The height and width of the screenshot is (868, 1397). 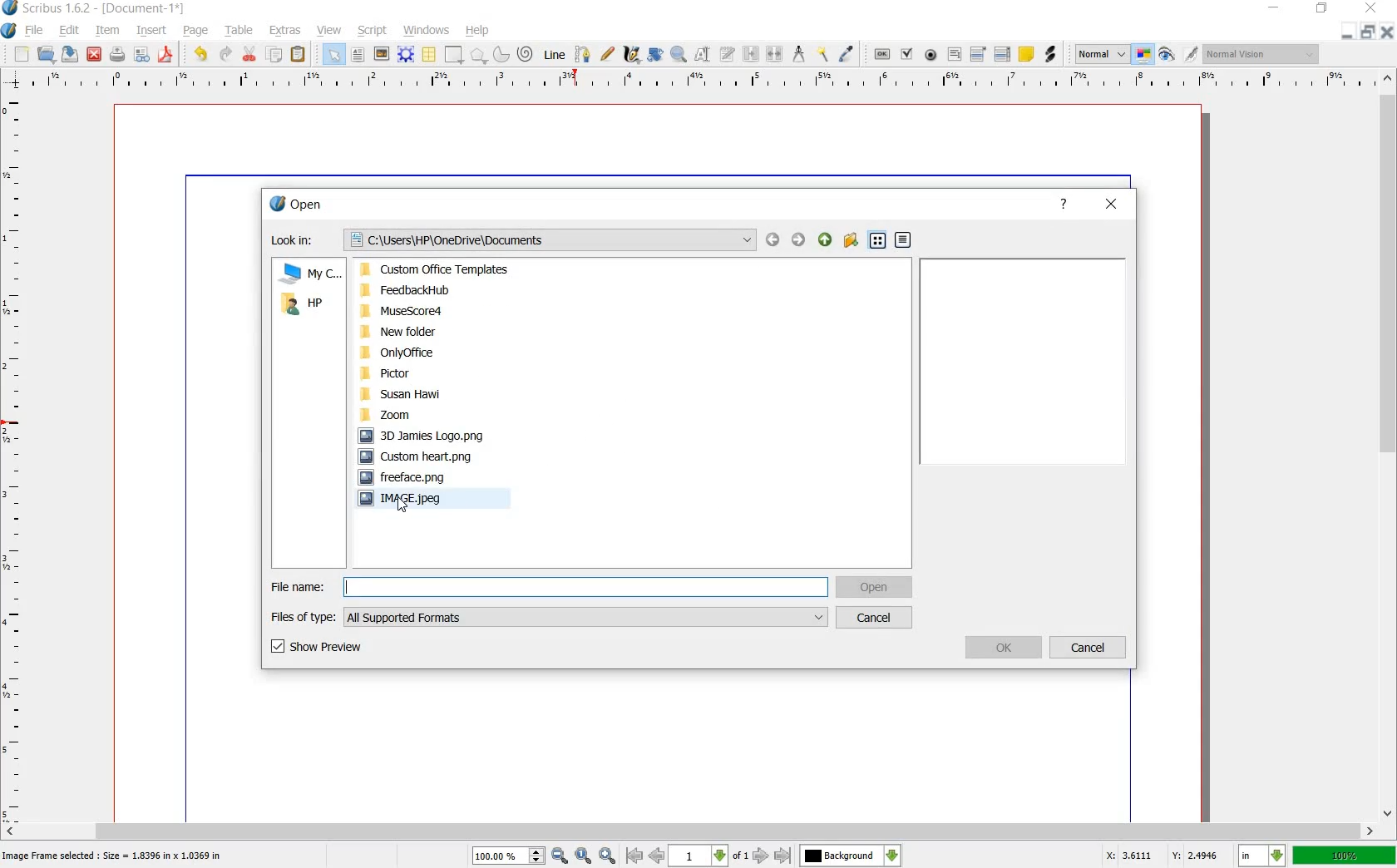 I want to click on toggle color management system, so click(x=1143, y=55).